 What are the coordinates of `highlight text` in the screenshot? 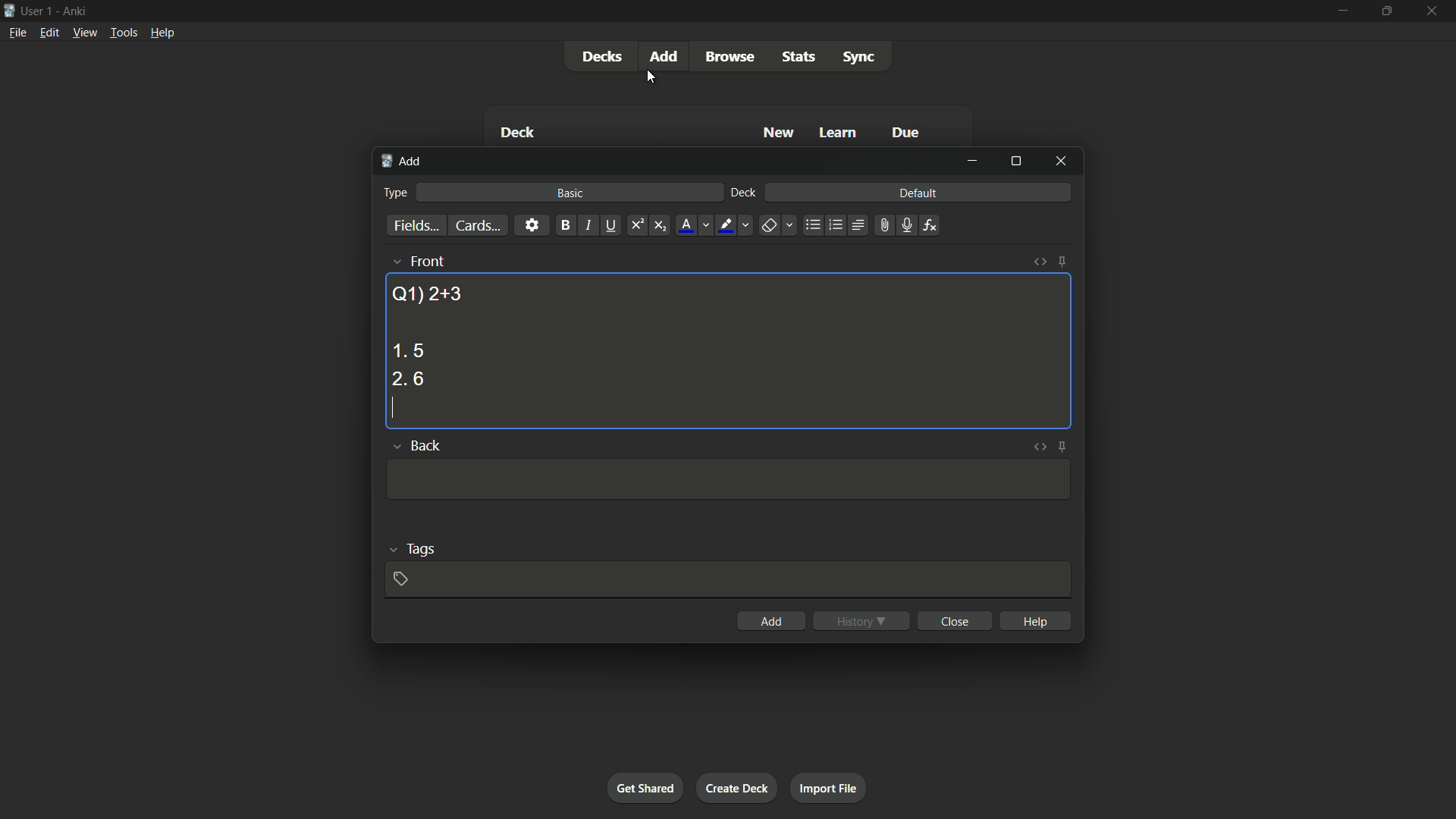 It's located at (723, 226).